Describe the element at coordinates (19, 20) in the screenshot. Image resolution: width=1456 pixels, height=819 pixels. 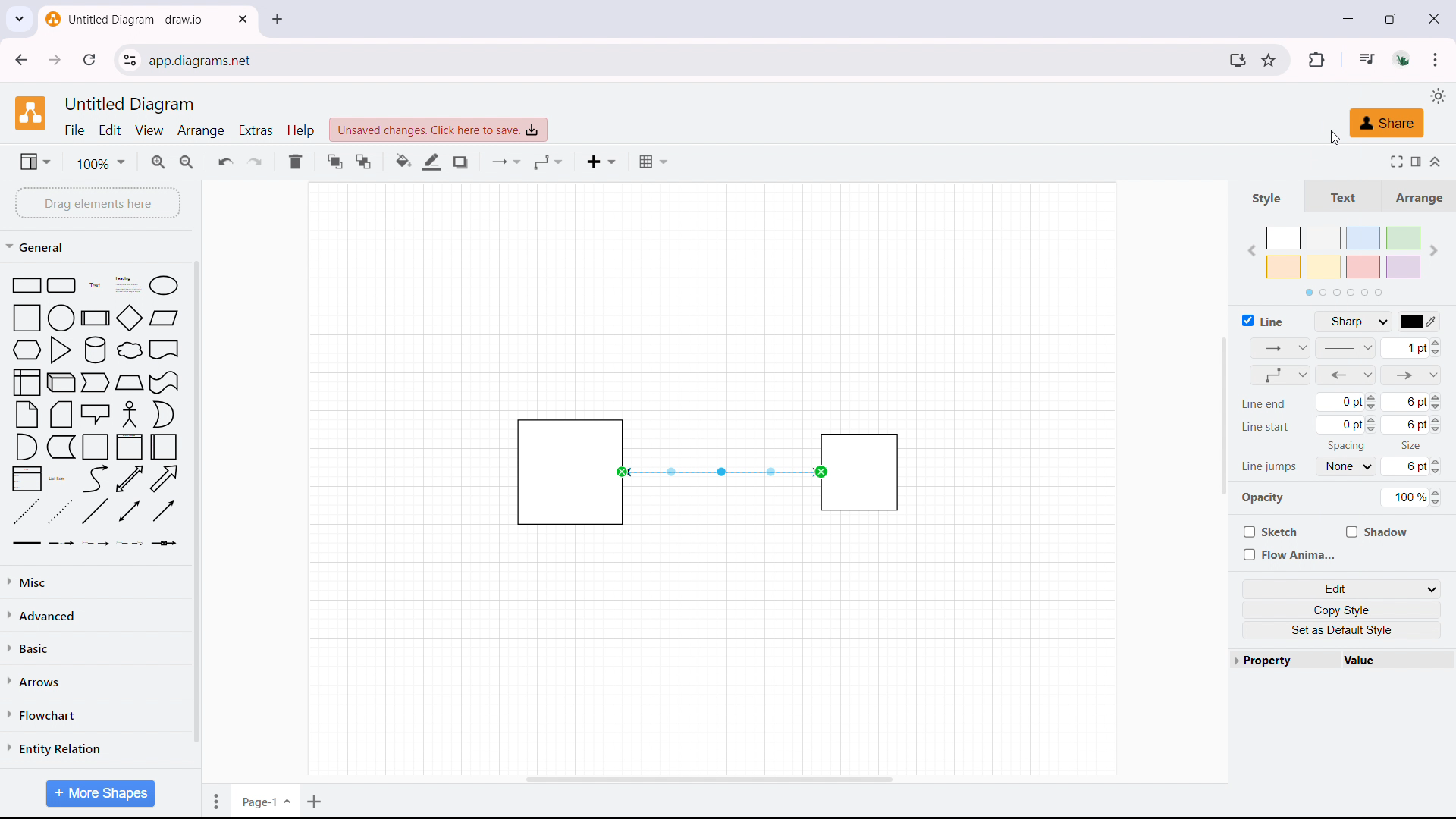
I see `search tabs` at that location.